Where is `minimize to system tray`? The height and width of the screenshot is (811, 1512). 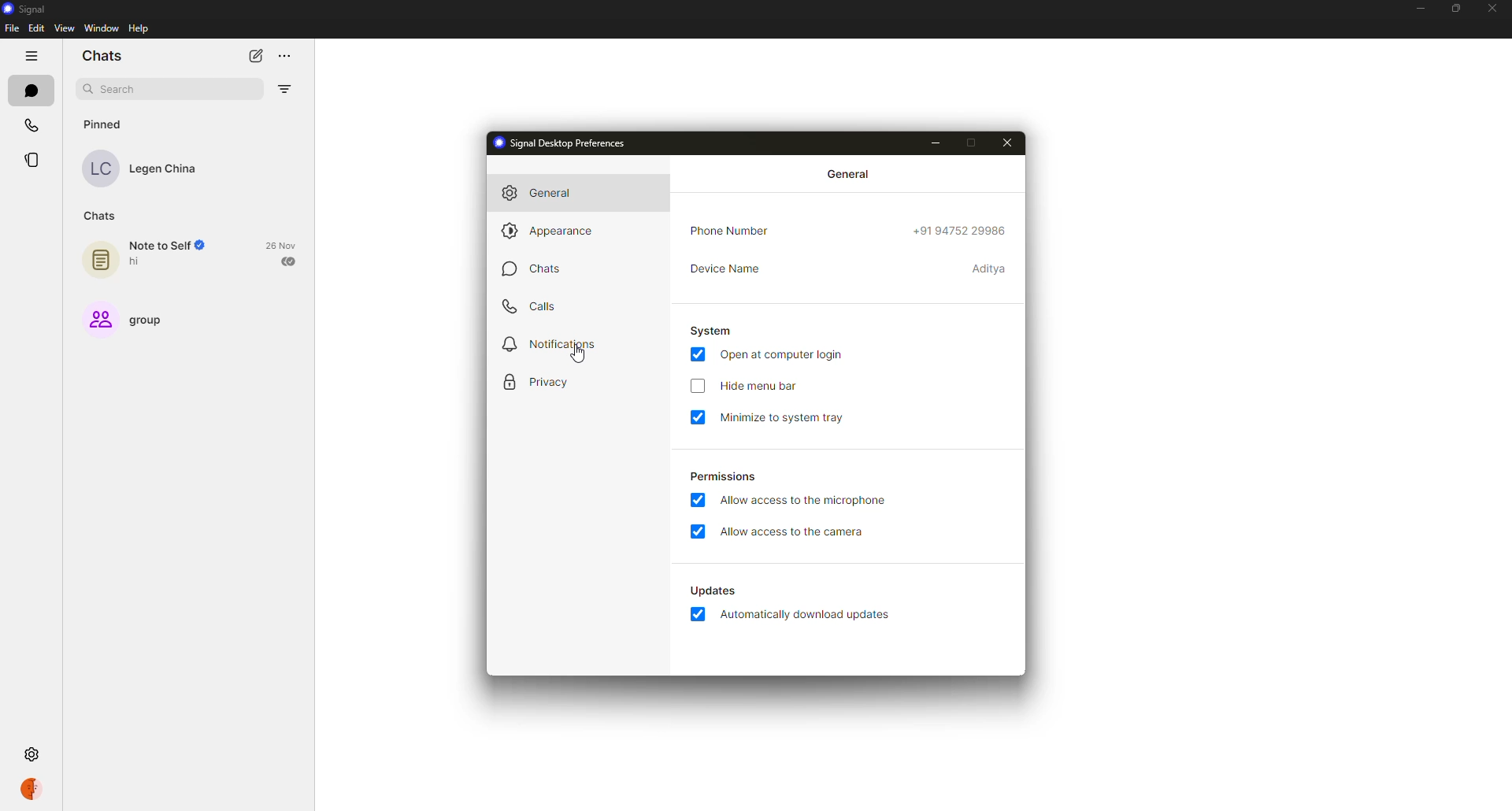
minimize to system tray is located at coordinates (790, 417).